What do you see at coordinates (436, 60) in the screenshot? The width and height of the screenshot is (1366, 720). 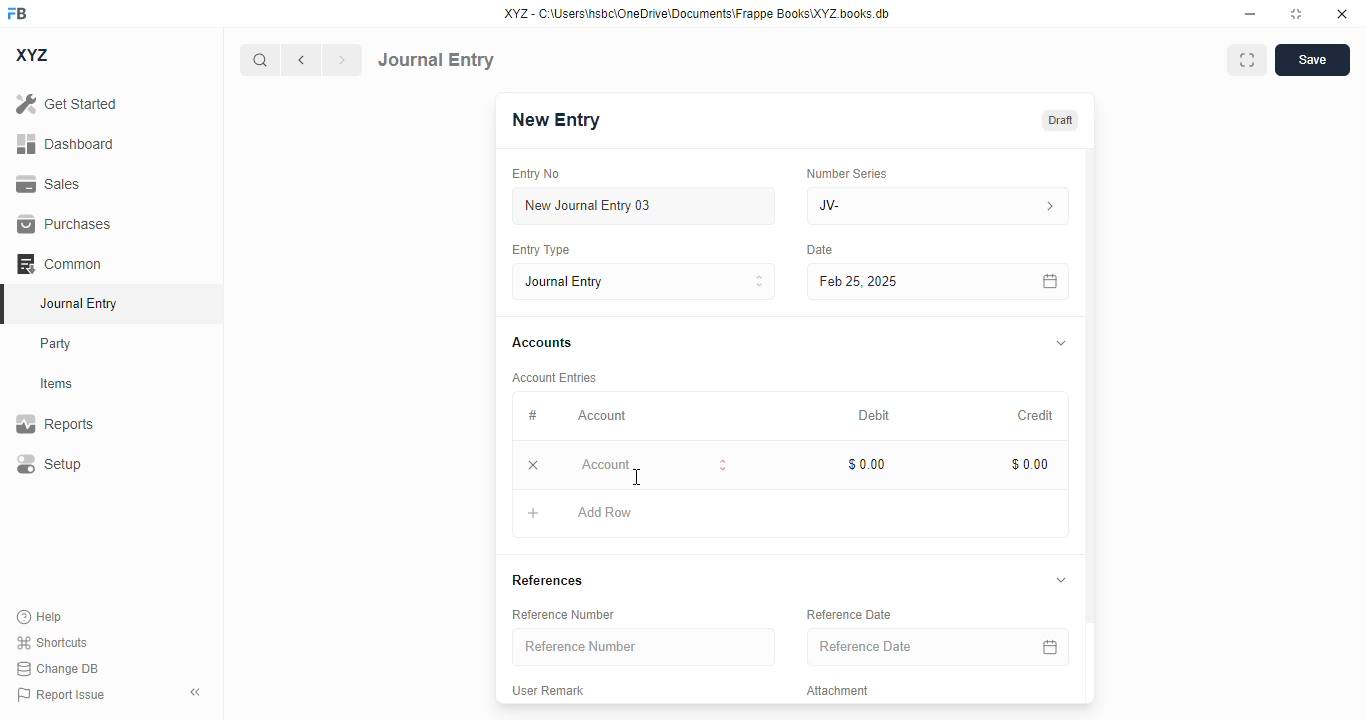 I see `journal entry` at bounding box center [436, 60].